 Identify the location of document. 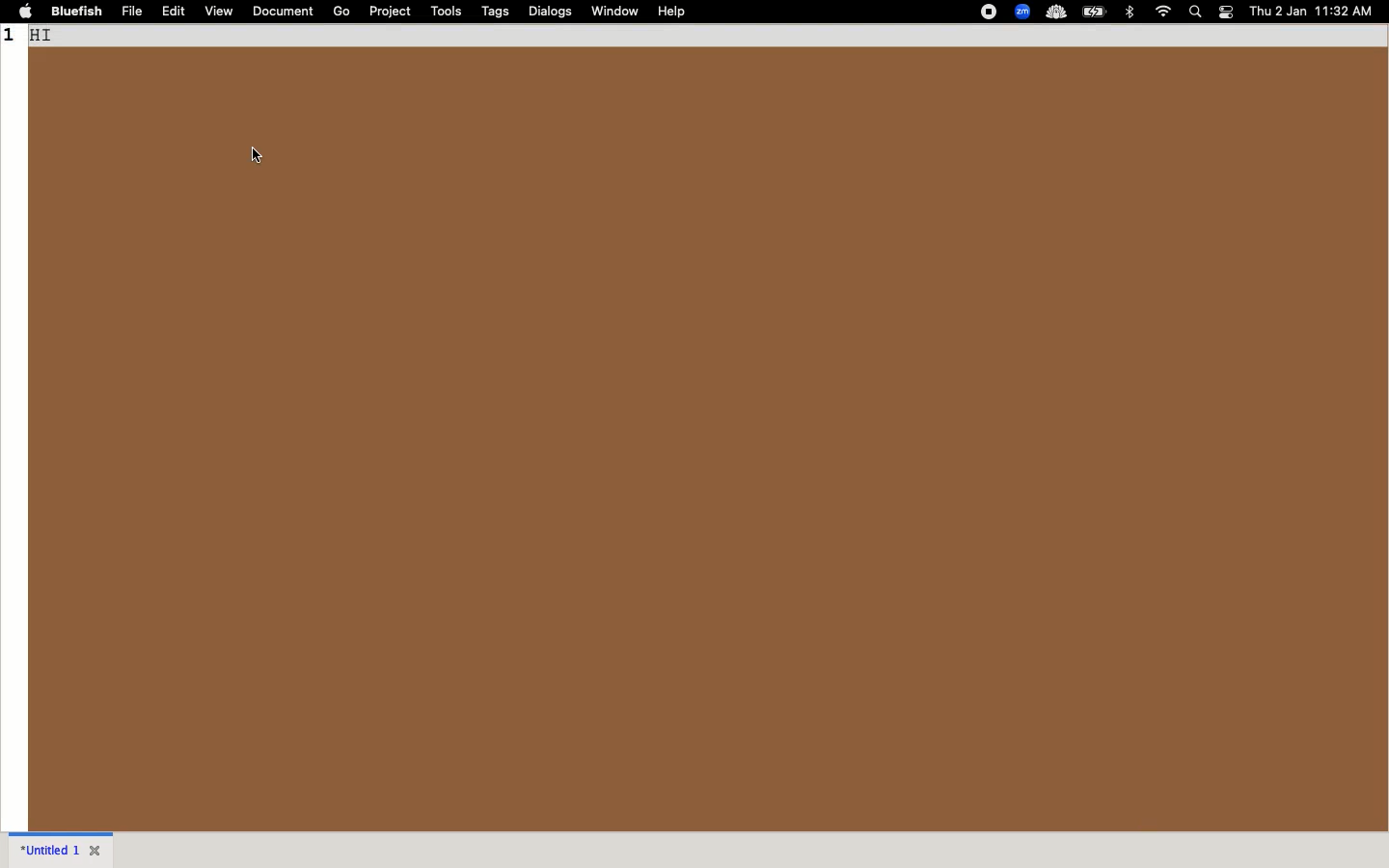
(285, 12).